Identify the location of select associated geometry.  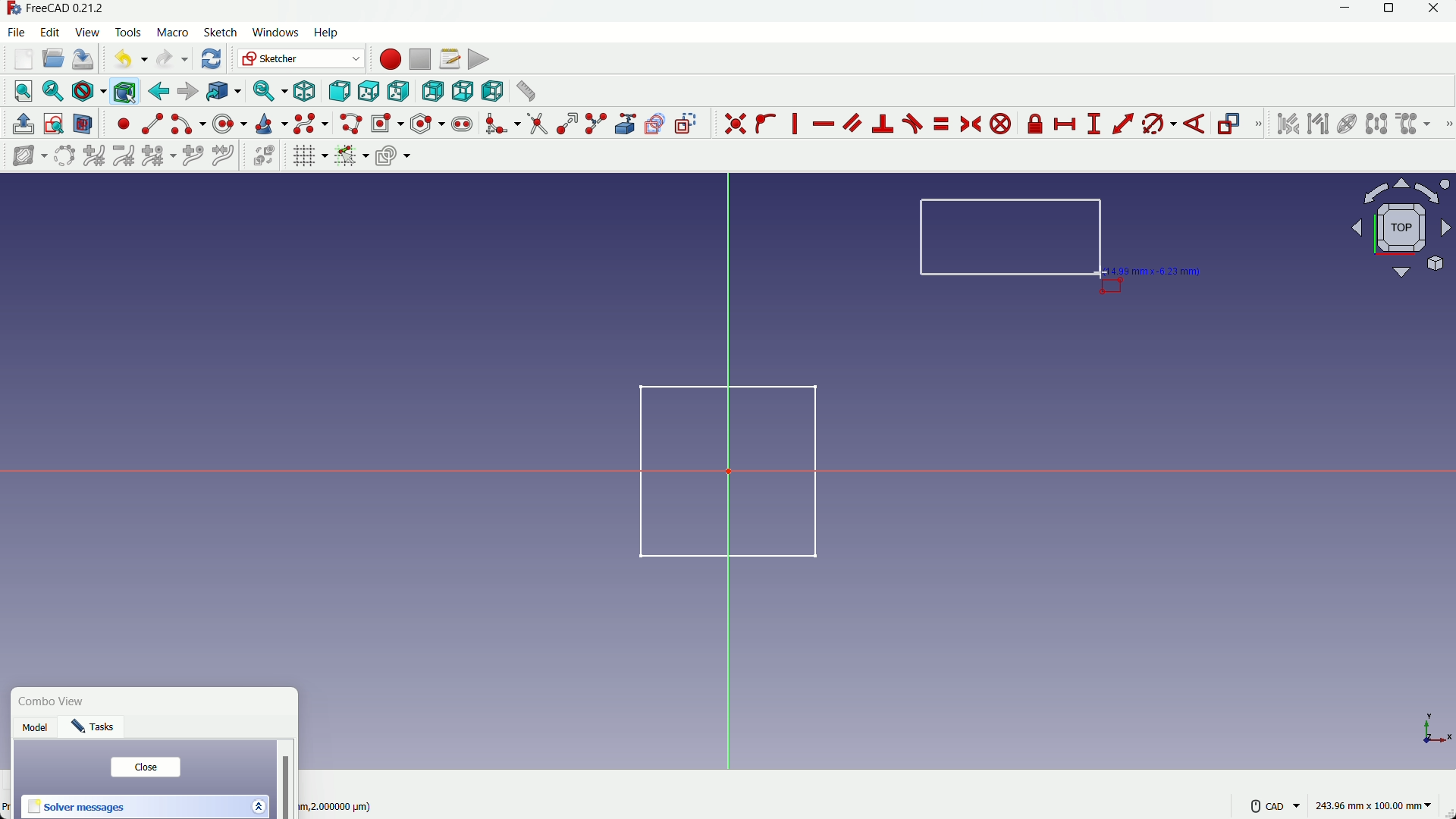
(1318, 125).